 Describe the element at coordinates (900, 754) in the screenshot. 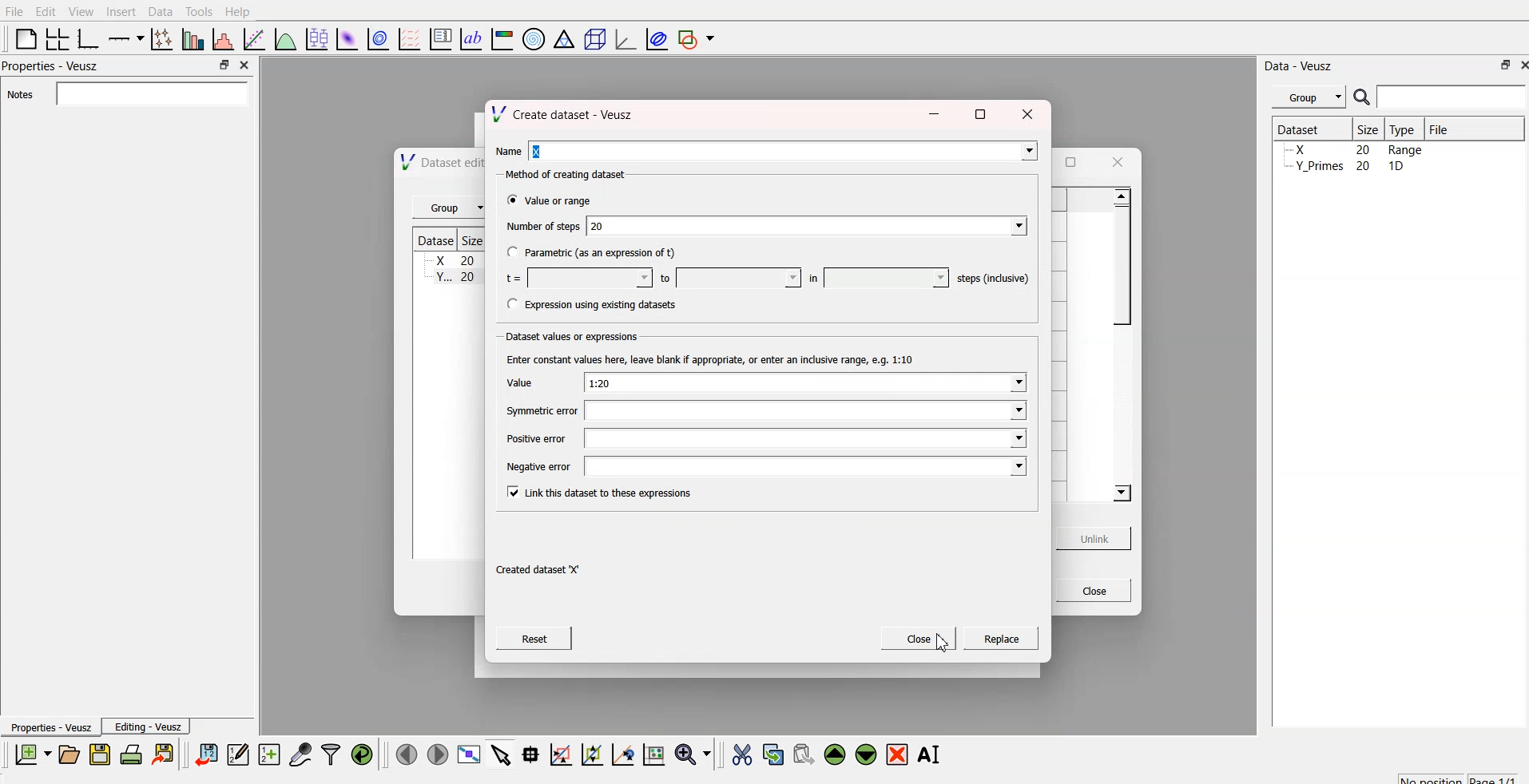

I see `remove the selected widget` at that location.